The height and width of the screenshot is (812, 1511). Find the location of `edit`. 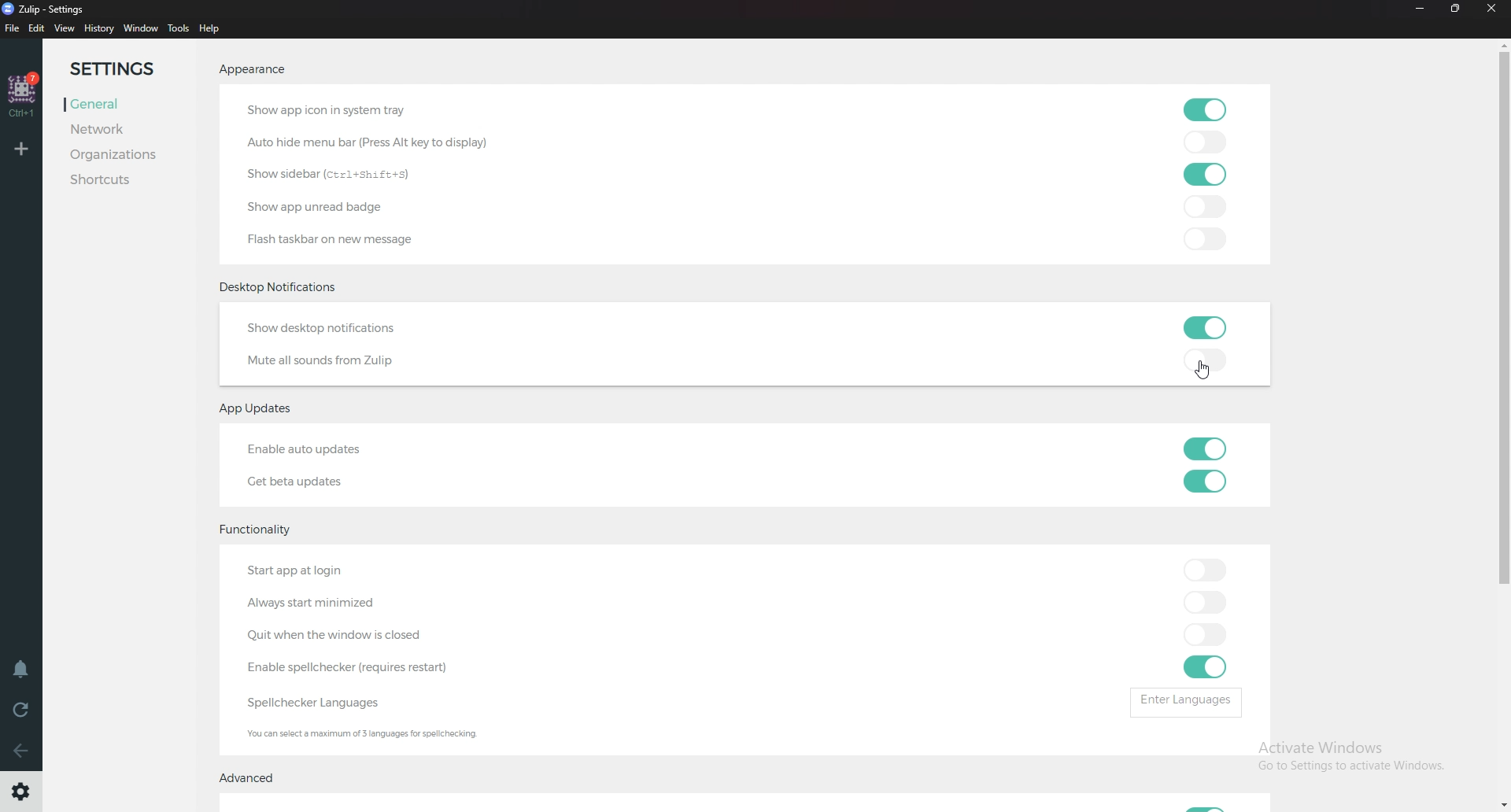

edit is located at coordinates (39, 28).